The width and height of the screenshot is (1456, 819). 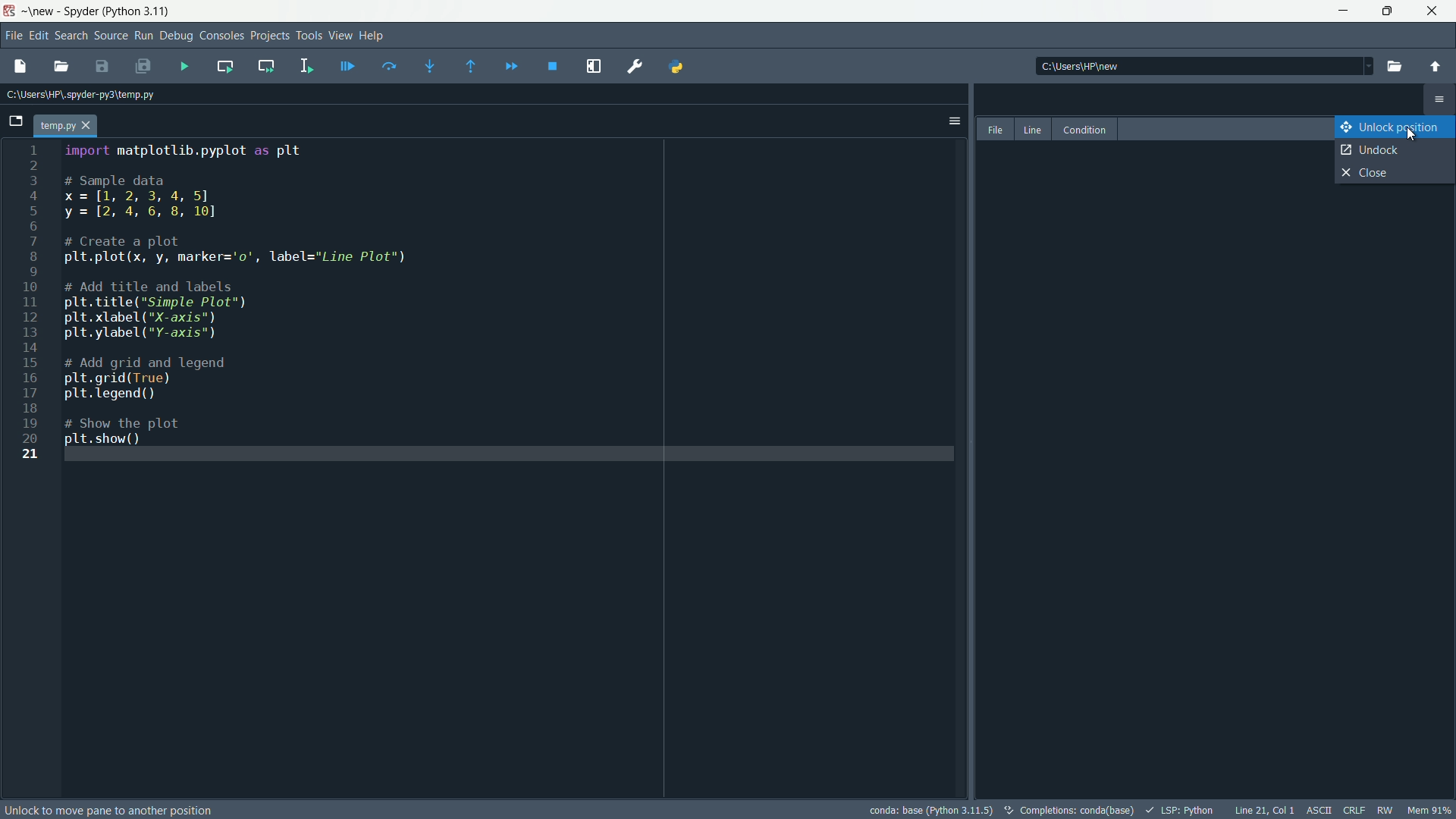 I want to click on python 3.11, so click(x=140, y=10).